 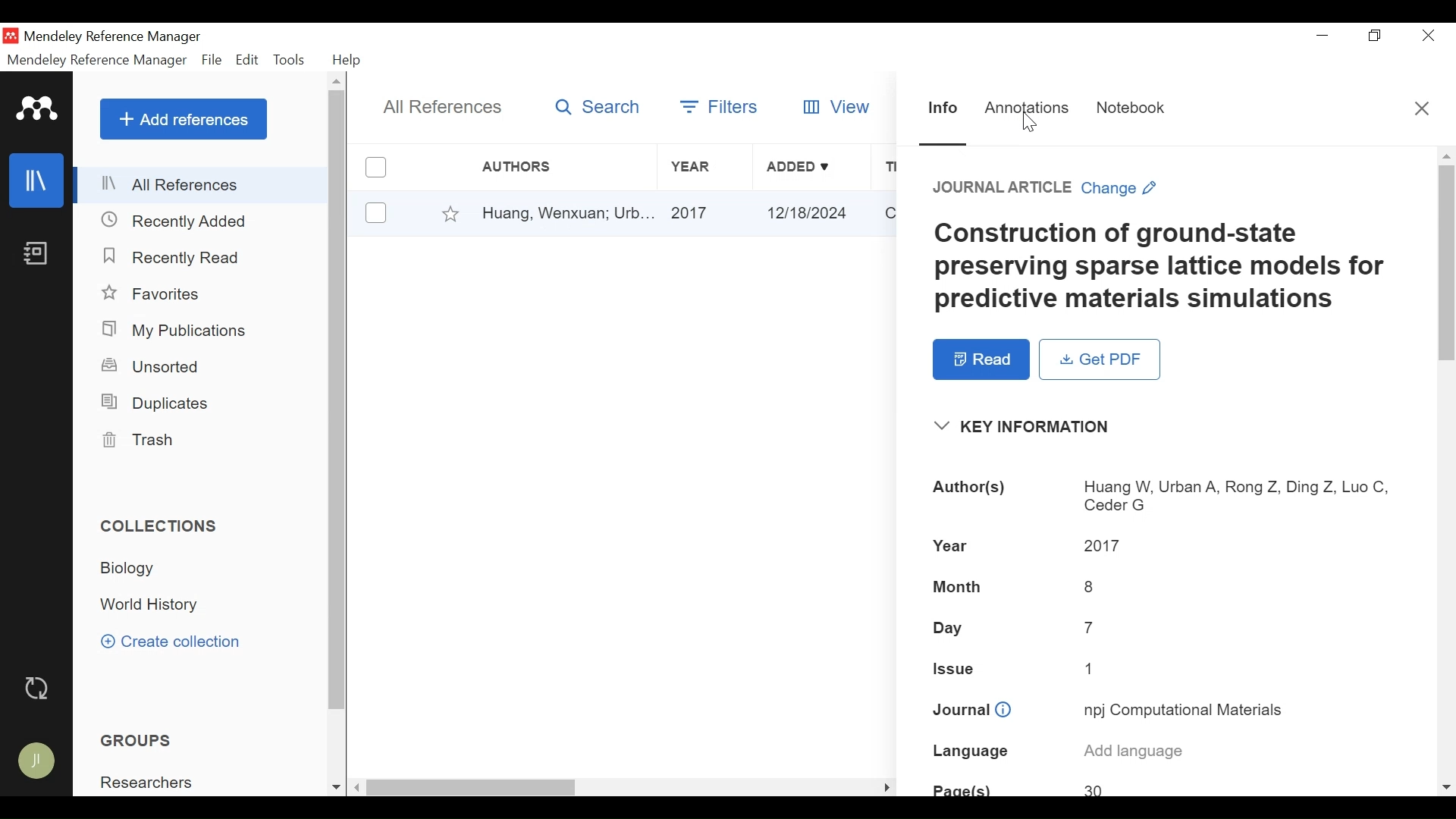 I want to click on Huang W, Urban A, Rong Z, Ding Z, Luo C, Ceder G, so click(x=1237, y=495).